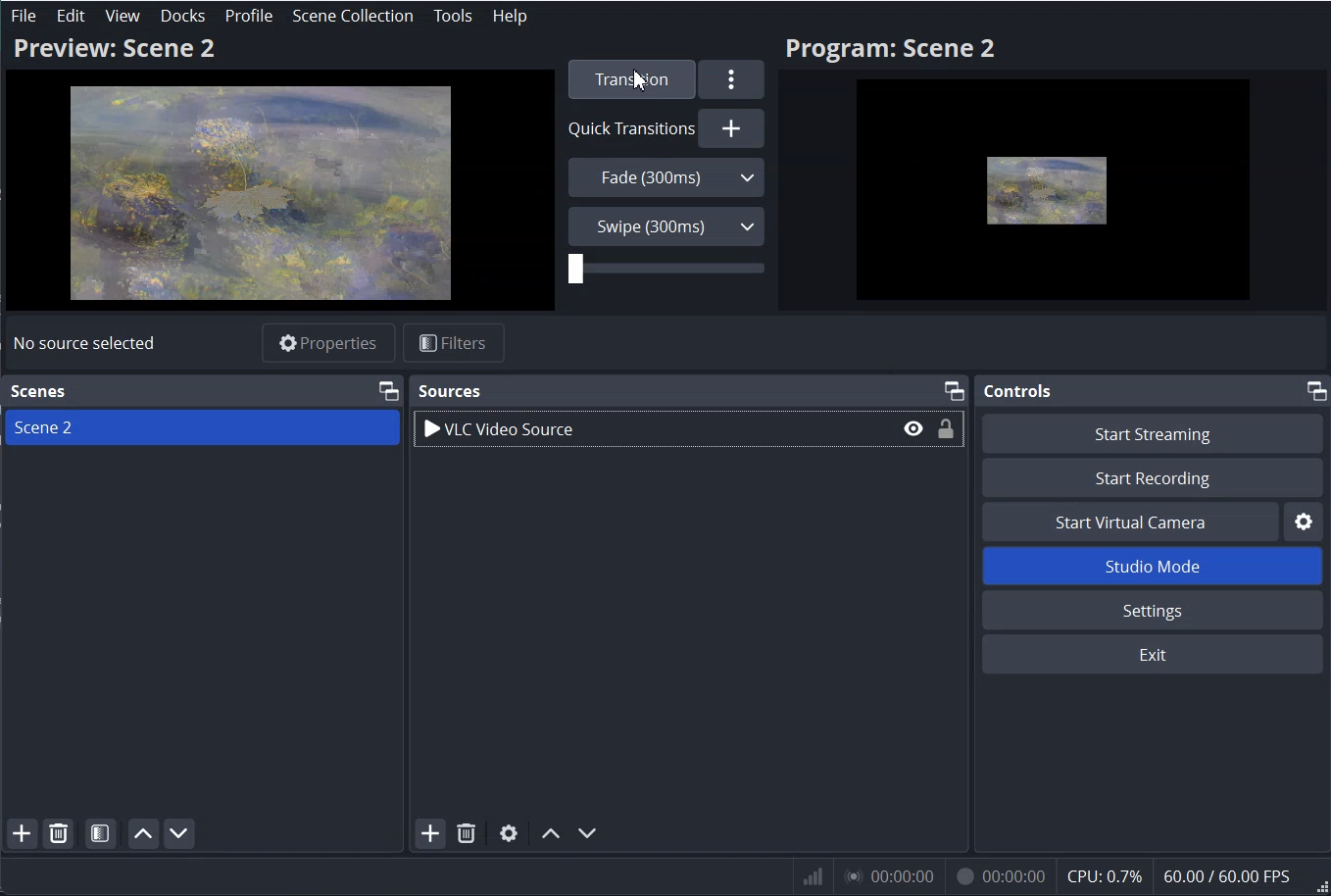 The image size is (1331, 896). Describe the element at coordinates (946, 428) in the screenshot. I see `Lock` at that location.